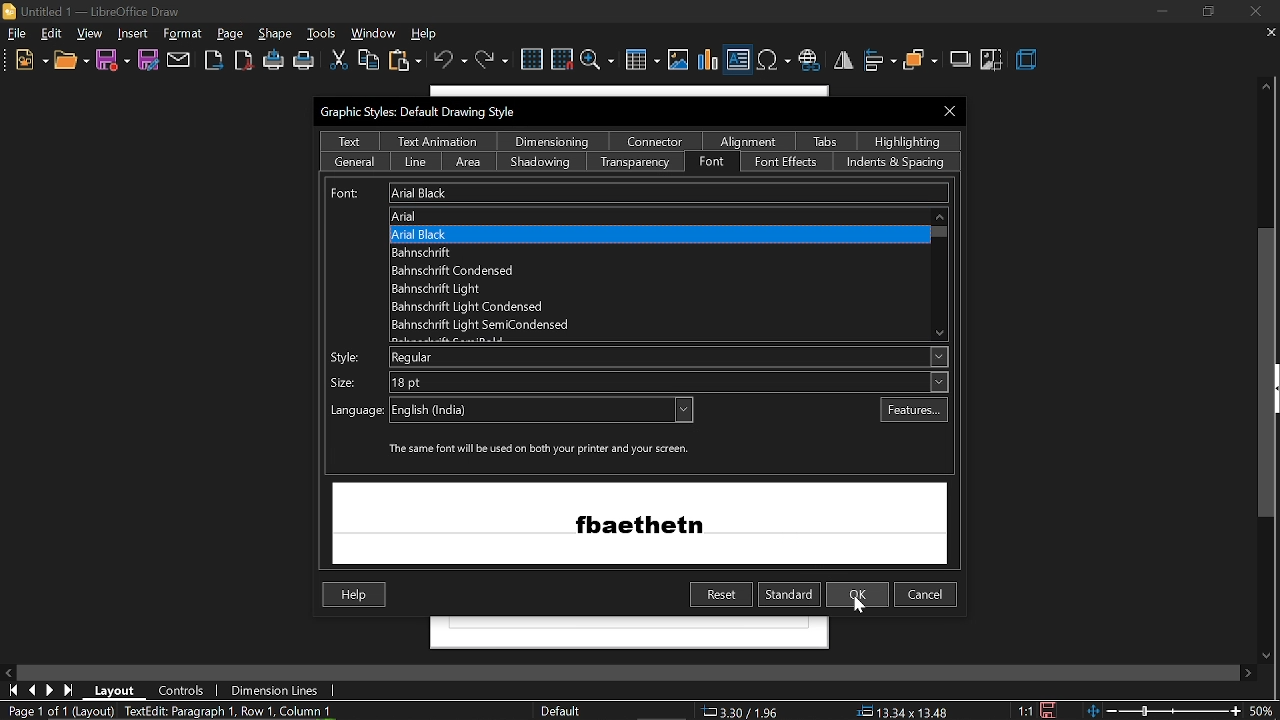  What do you see at coordinates (476, 271) in the screenshot?
I see `Bahnschrift Condensed` at bounding box center [476, 271].